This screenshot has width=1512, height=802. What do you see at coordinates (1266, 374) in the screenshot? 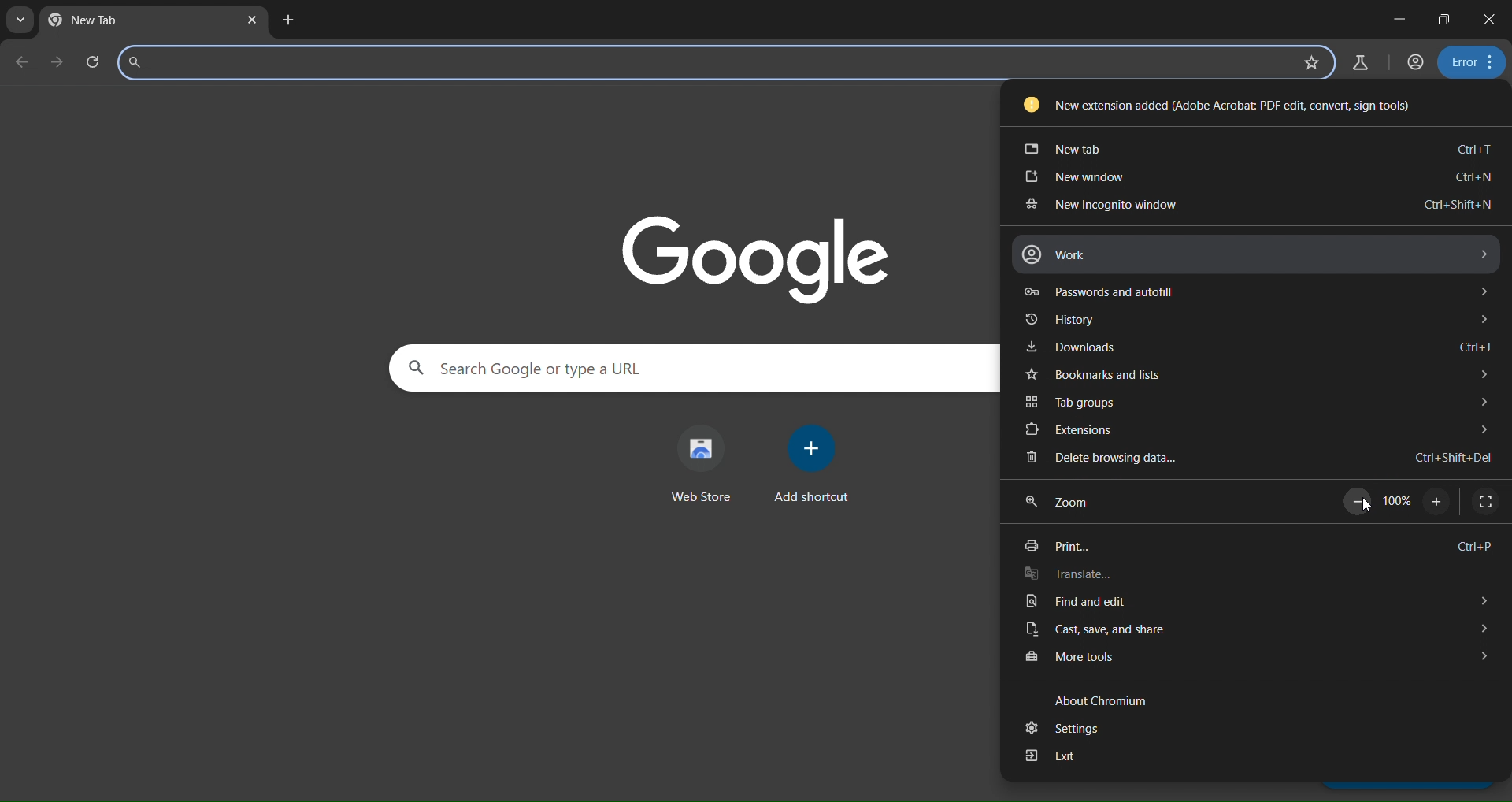
I see `bookmarks and lists` at bounding box center [1266, 374].